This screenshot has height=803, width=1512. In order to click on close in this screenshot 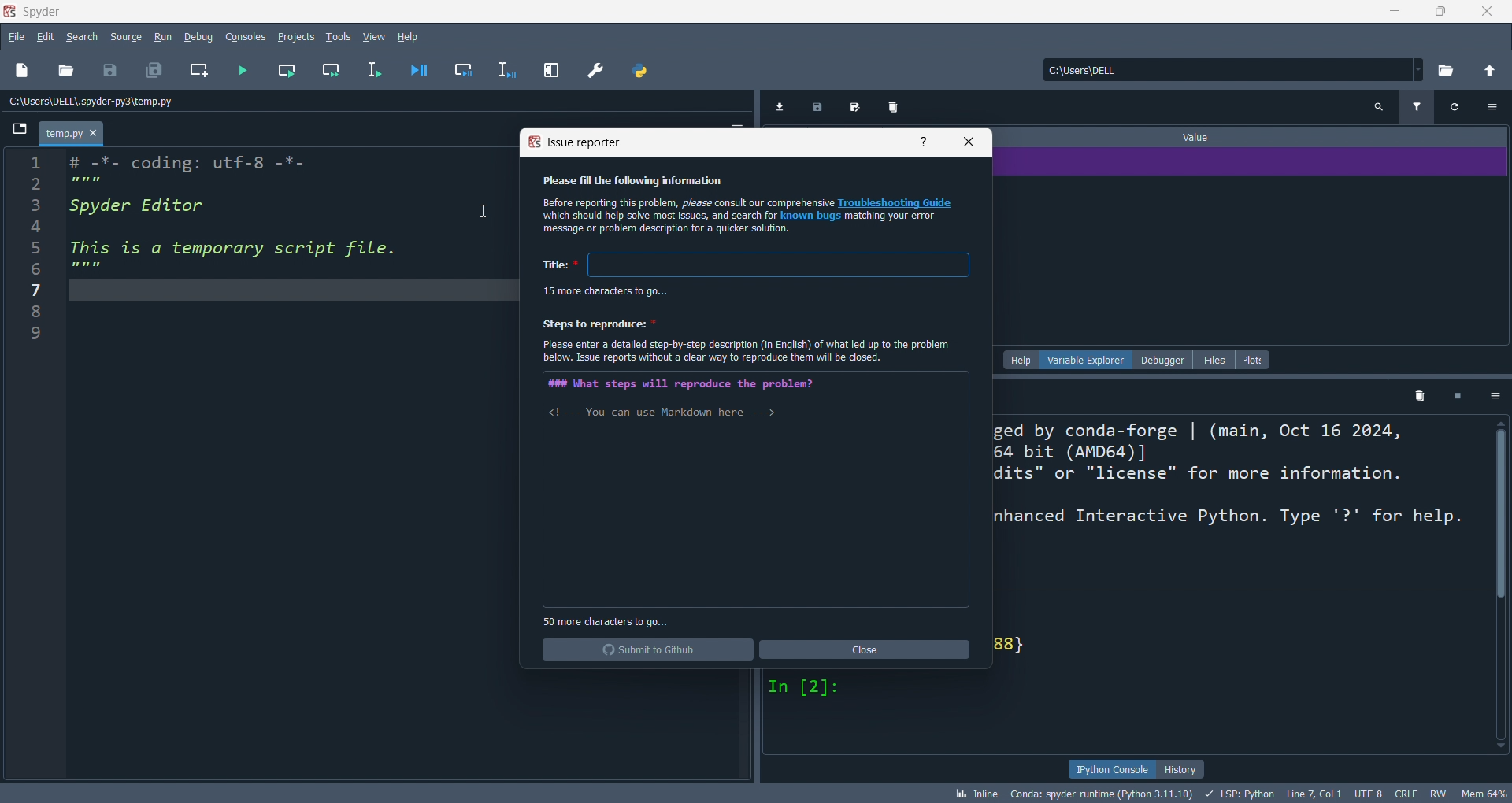, I will do `click(1488, 12)`.